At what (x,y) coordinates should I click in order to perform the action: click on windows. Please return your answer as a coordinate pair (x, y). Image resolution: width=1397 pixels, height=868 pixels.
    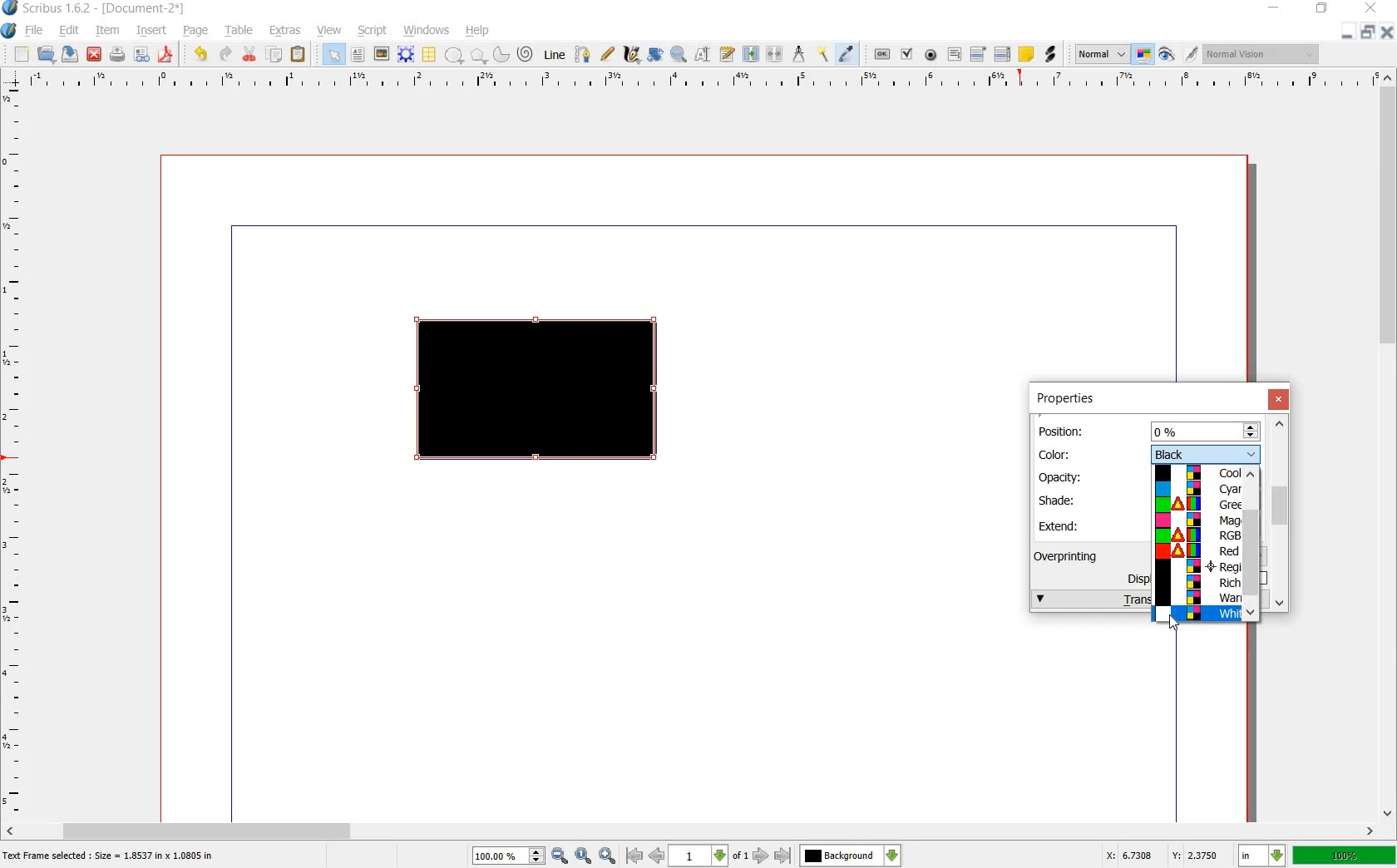
    Looking at the image, I should click on (426, 31).